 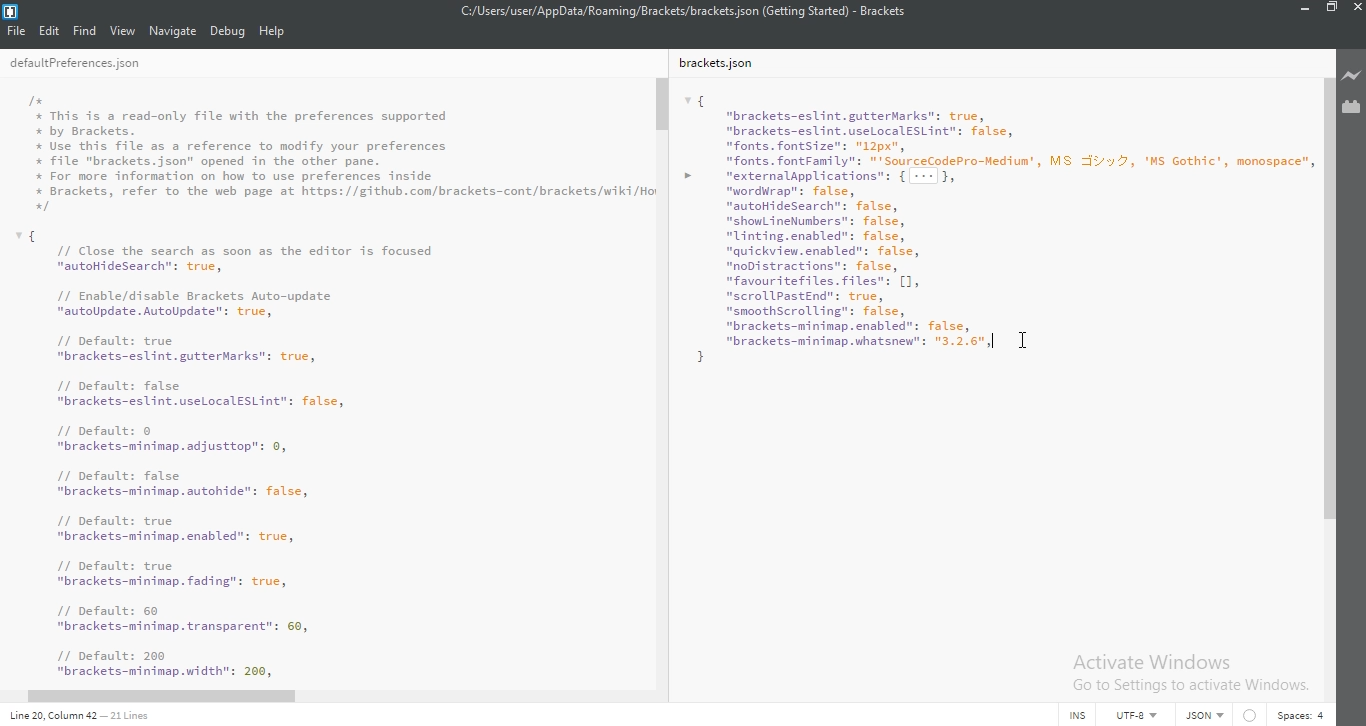 I want to click on close, so click(x=1356, y=12).